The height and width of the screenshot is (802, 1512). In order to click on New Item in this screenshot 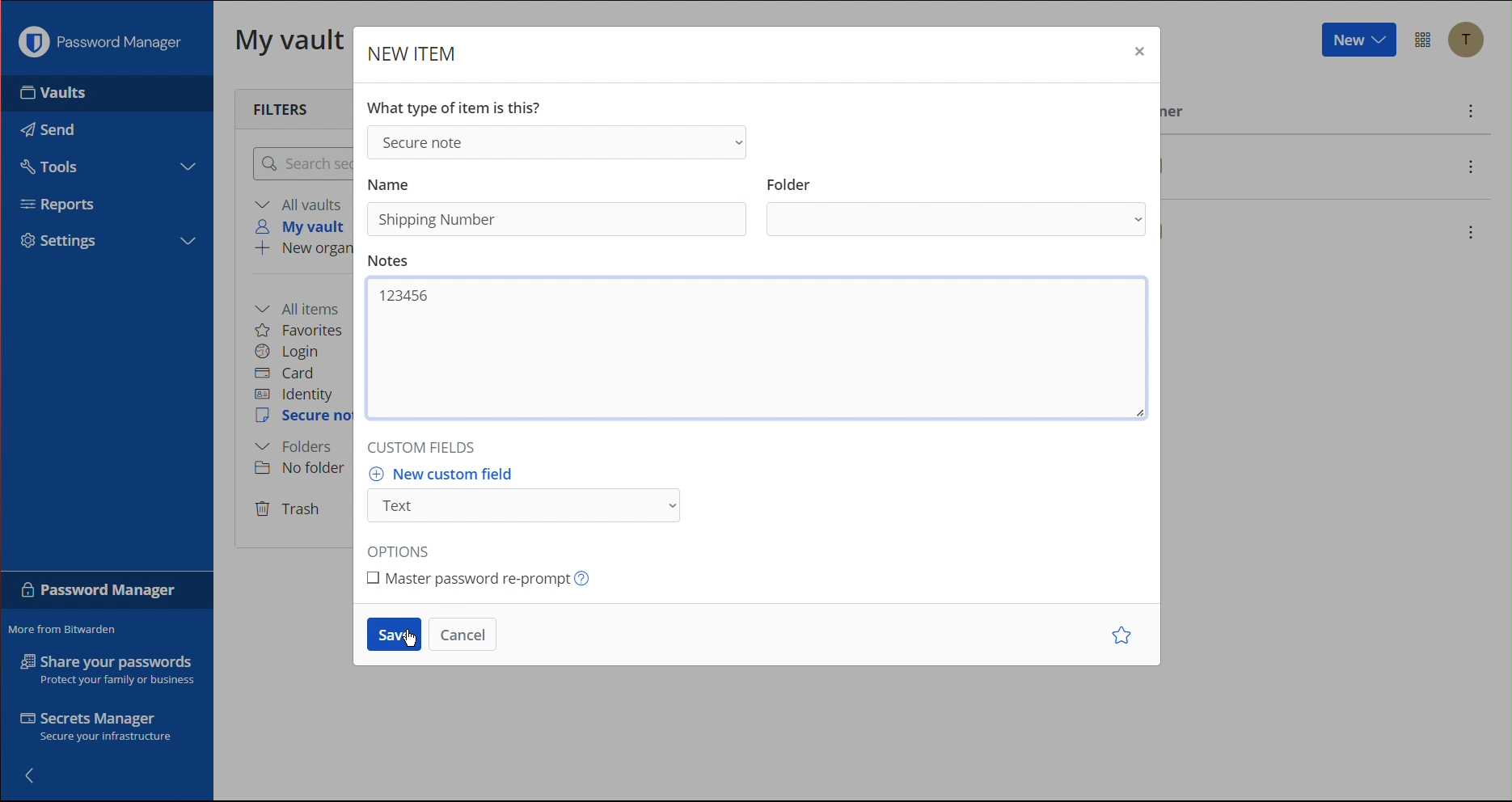, I will do `click(419, 54)`.